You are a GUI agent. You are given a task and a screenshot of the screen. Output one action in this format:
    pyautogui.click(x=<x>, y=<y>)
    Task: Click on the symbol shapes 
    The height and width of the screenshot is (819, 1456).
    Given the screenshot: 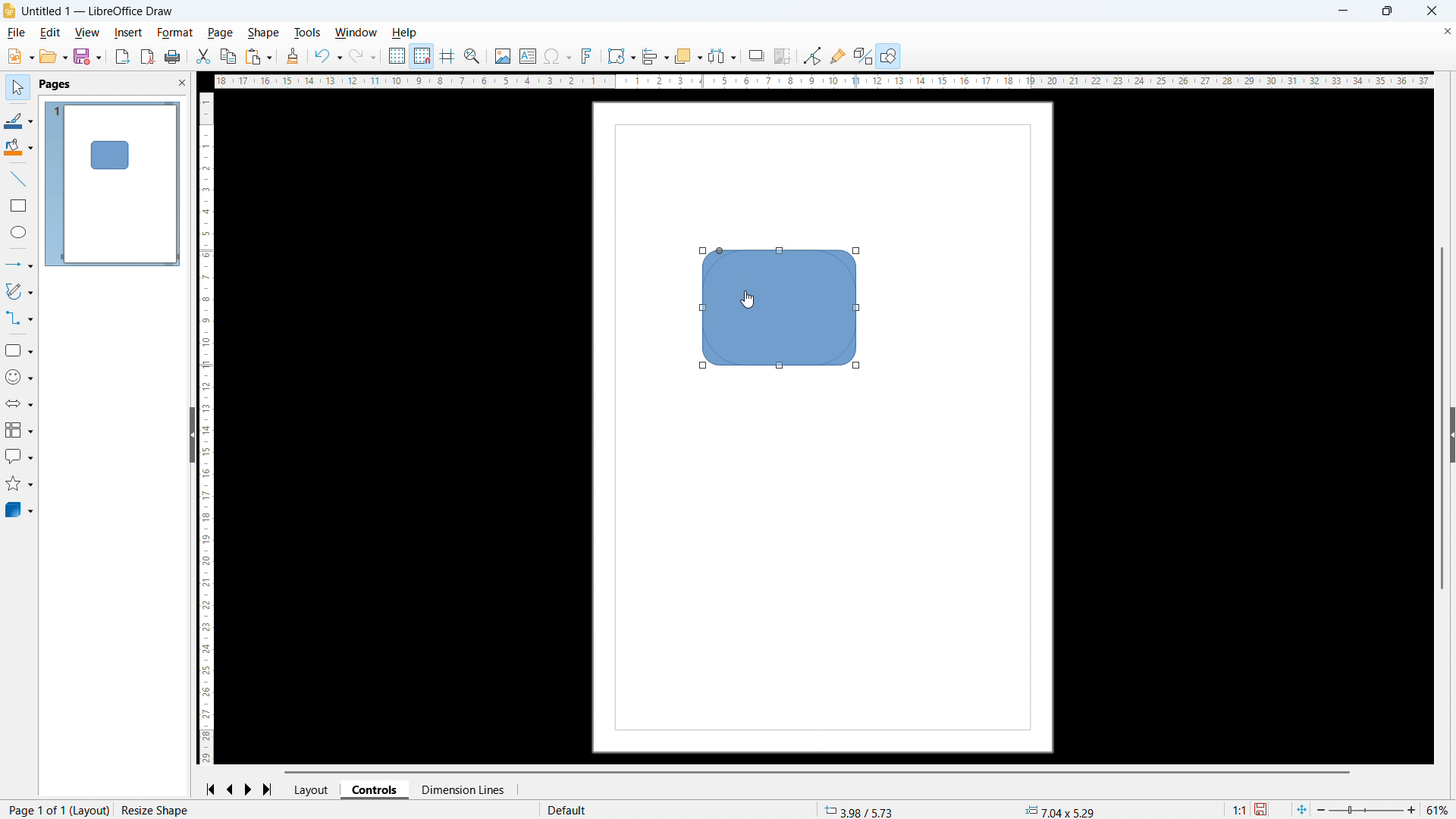 What is the action you would take?
    pyautogui.click(x=18, y=378)
    